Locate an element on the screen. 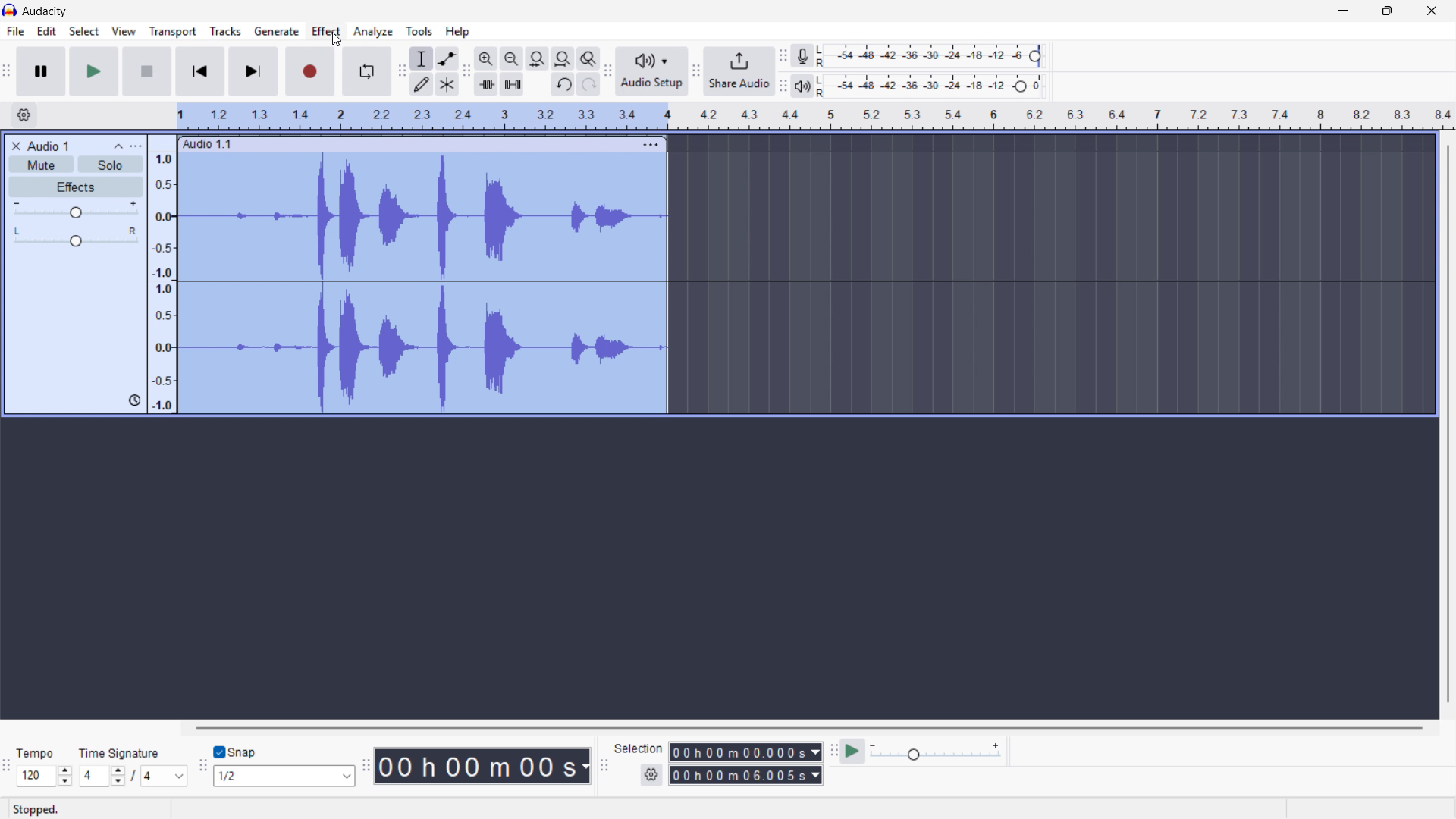 Image resolution: width=1456 pixels, height=819 pixels. Timeline settings  is located at coordinates (24, 116).